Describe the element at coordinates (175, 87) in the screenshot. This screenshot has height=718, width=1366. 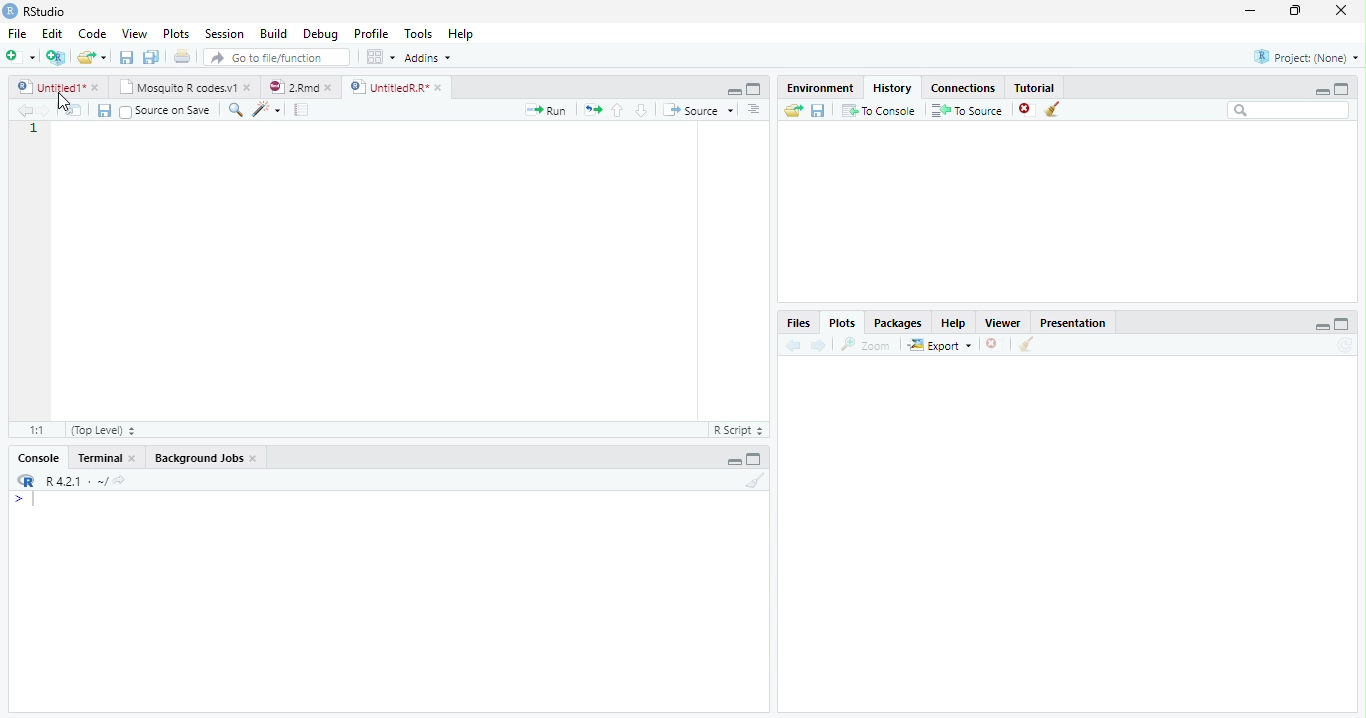
I see `Mosquito R codes.v1` at that location.